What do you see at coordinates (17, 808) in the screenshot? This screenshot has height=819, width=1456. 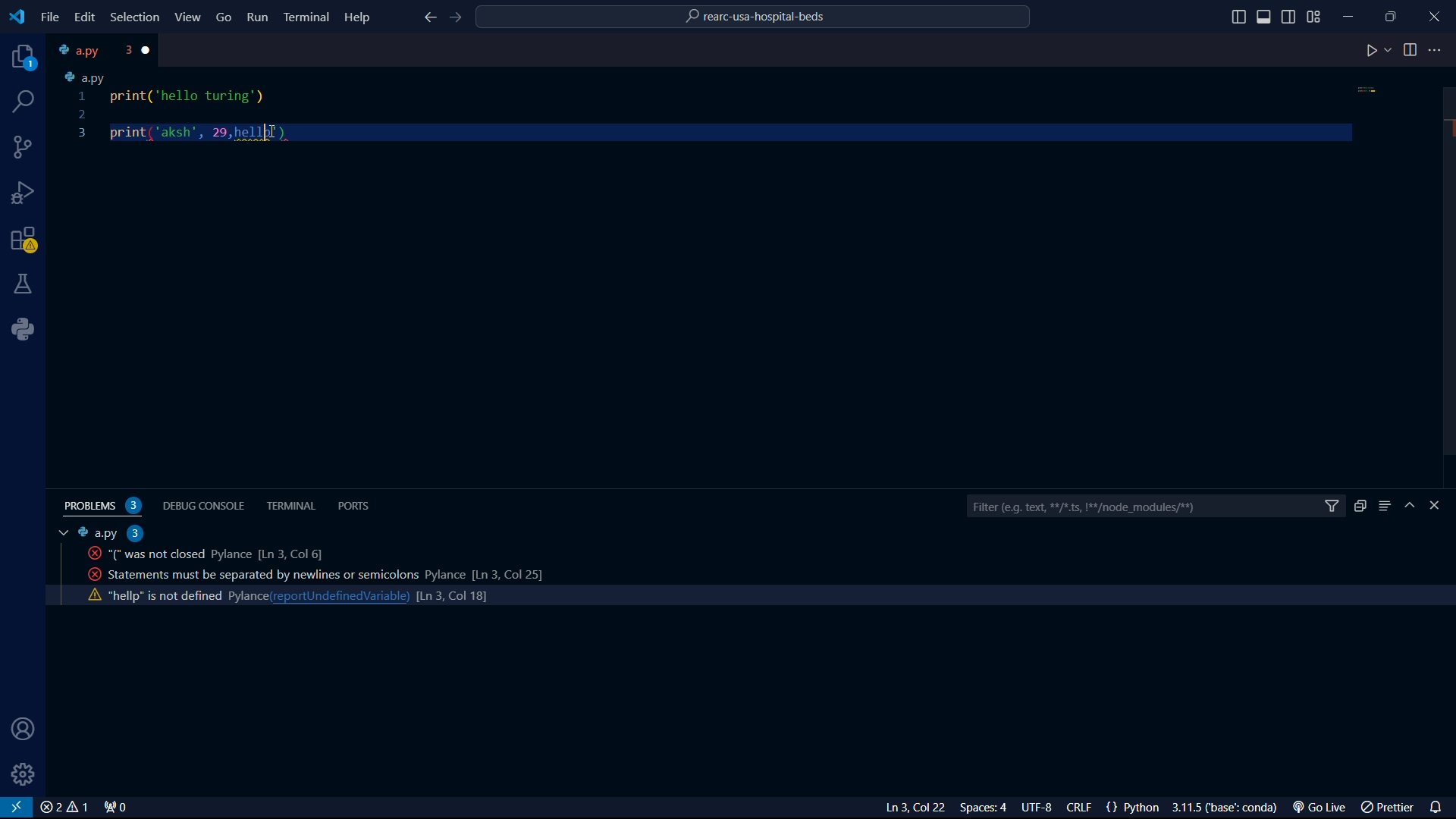 I see `VS` at bounding box center [17, 808].